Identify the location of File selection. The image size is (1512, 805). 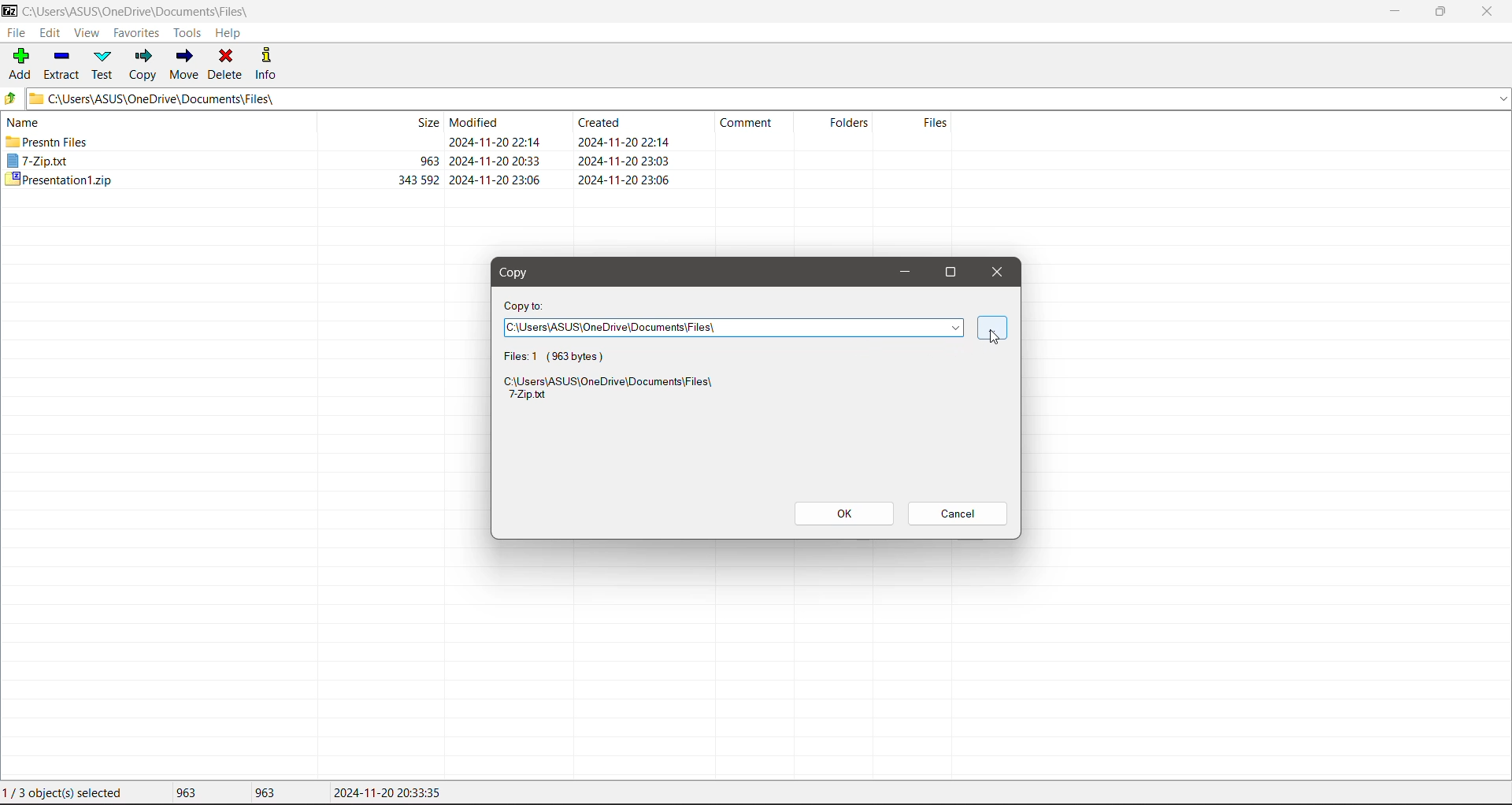
(565, 355).